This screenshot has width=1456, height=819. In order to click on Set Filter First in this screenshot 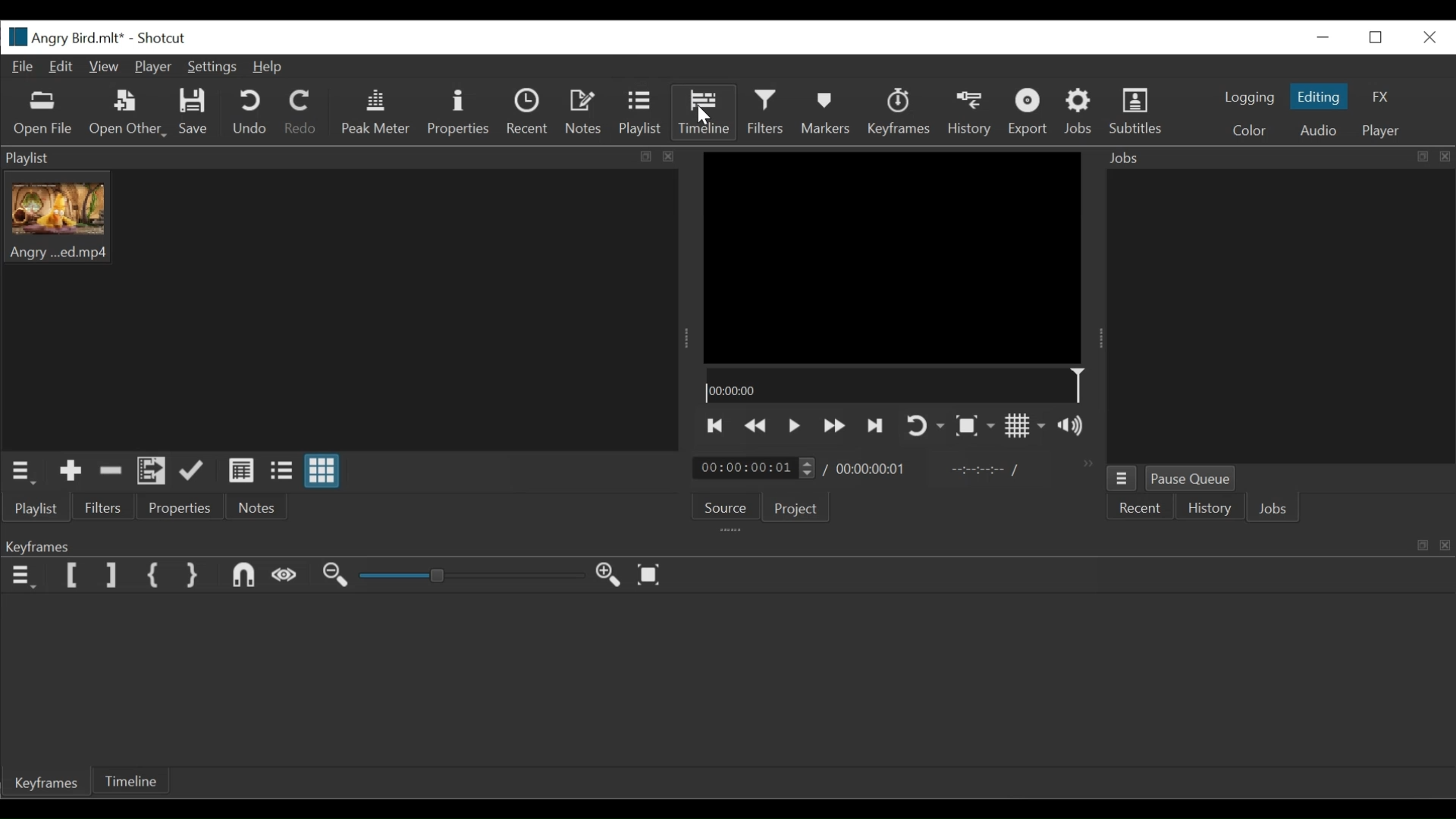, I will do `click(74, 575)`.